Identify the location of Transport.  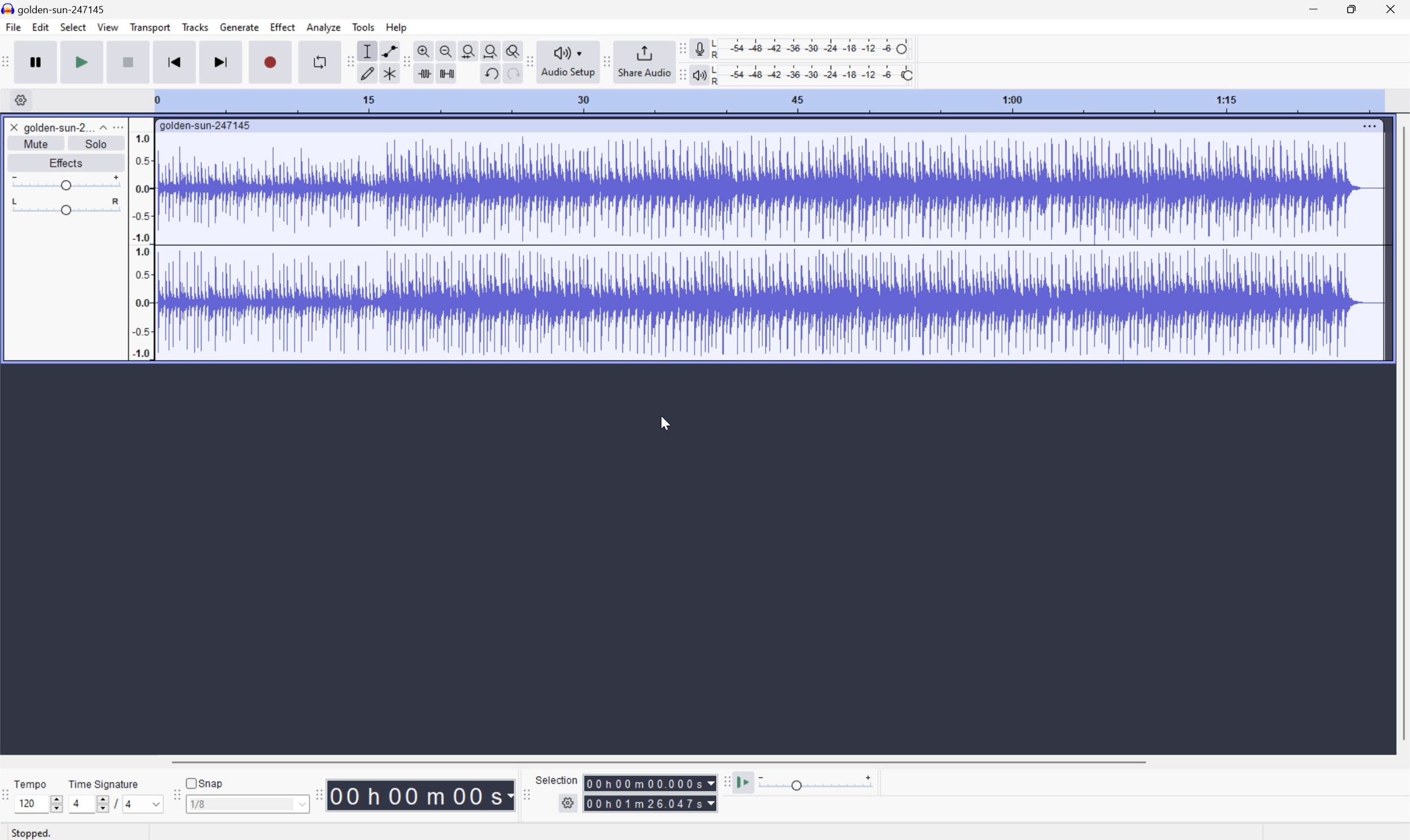
(150, 27).